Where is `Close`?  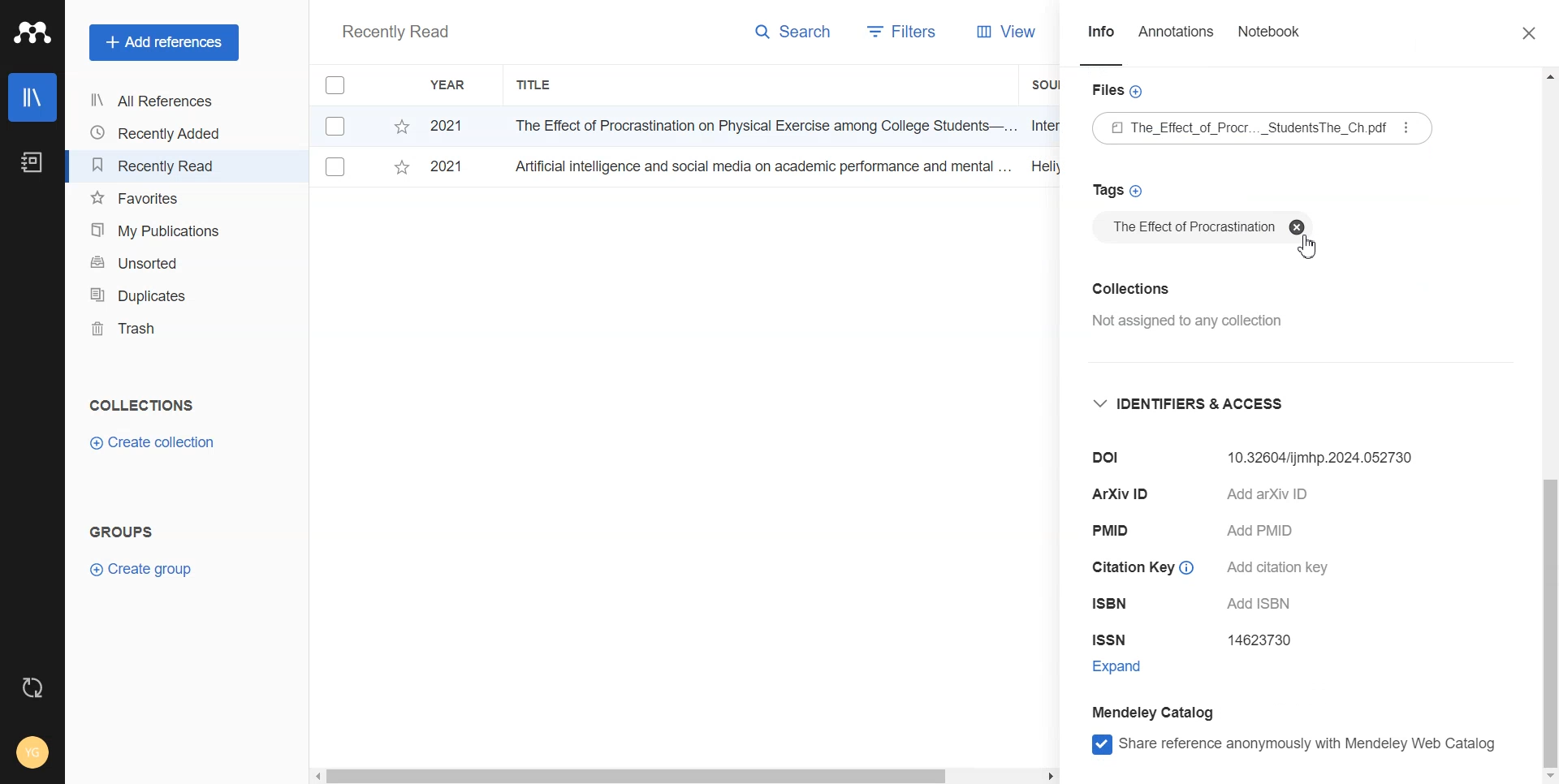 Close is located at coordinates (1530, 35).